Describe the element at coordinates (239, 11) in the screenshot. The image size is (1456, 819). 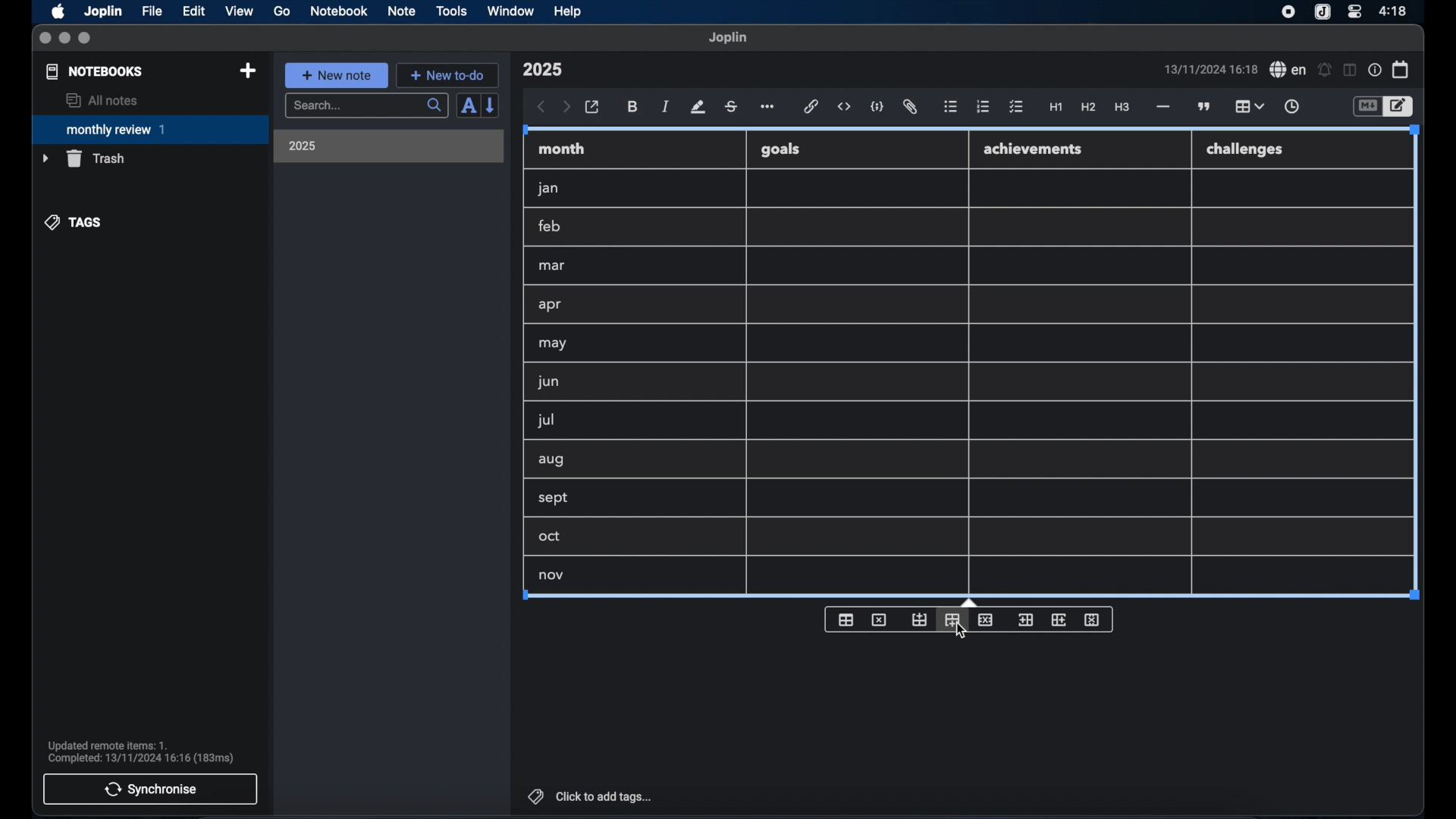
I see `view` at that location.